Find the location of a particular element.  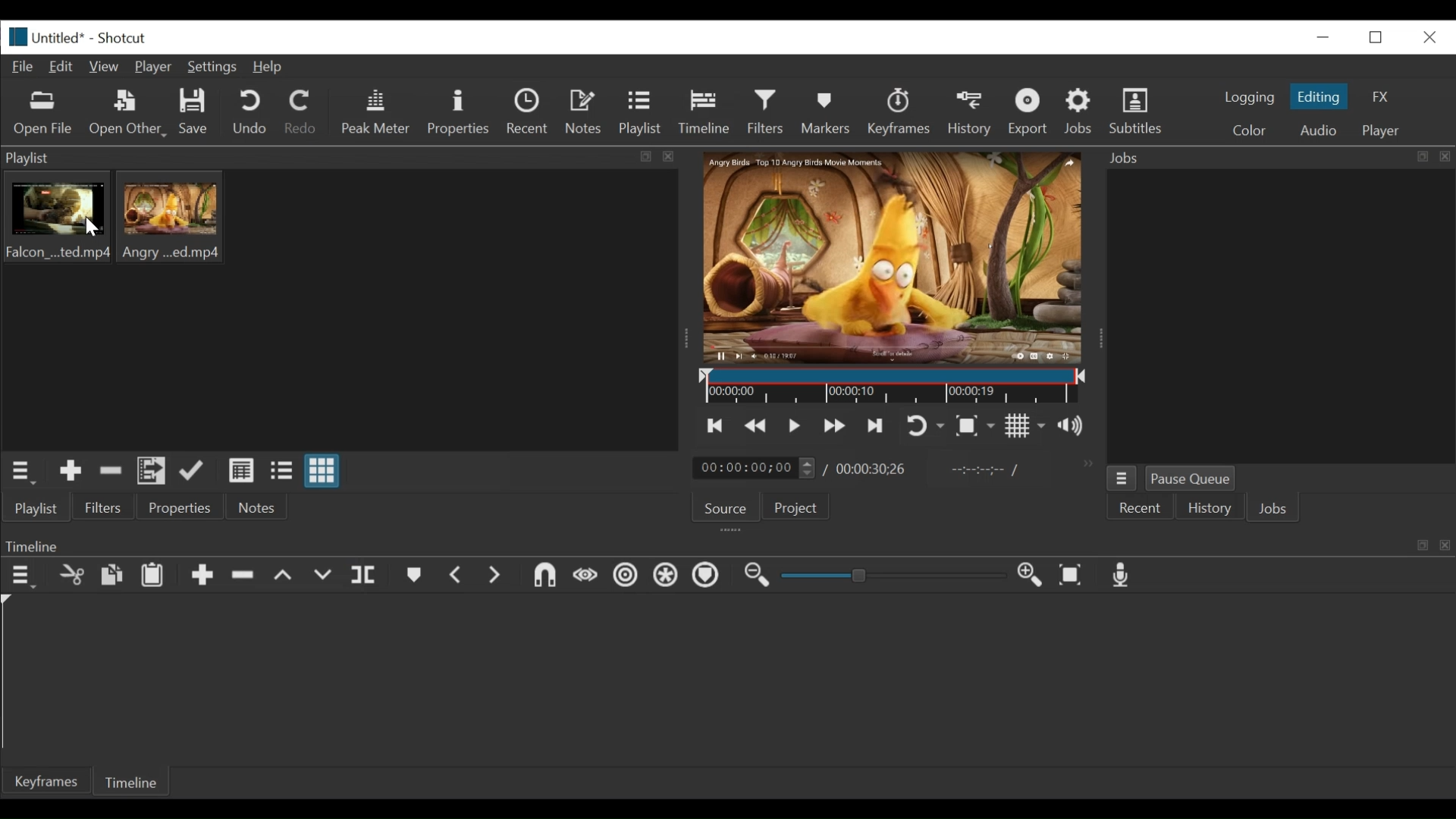

Help is located at coordinates (268, 67).